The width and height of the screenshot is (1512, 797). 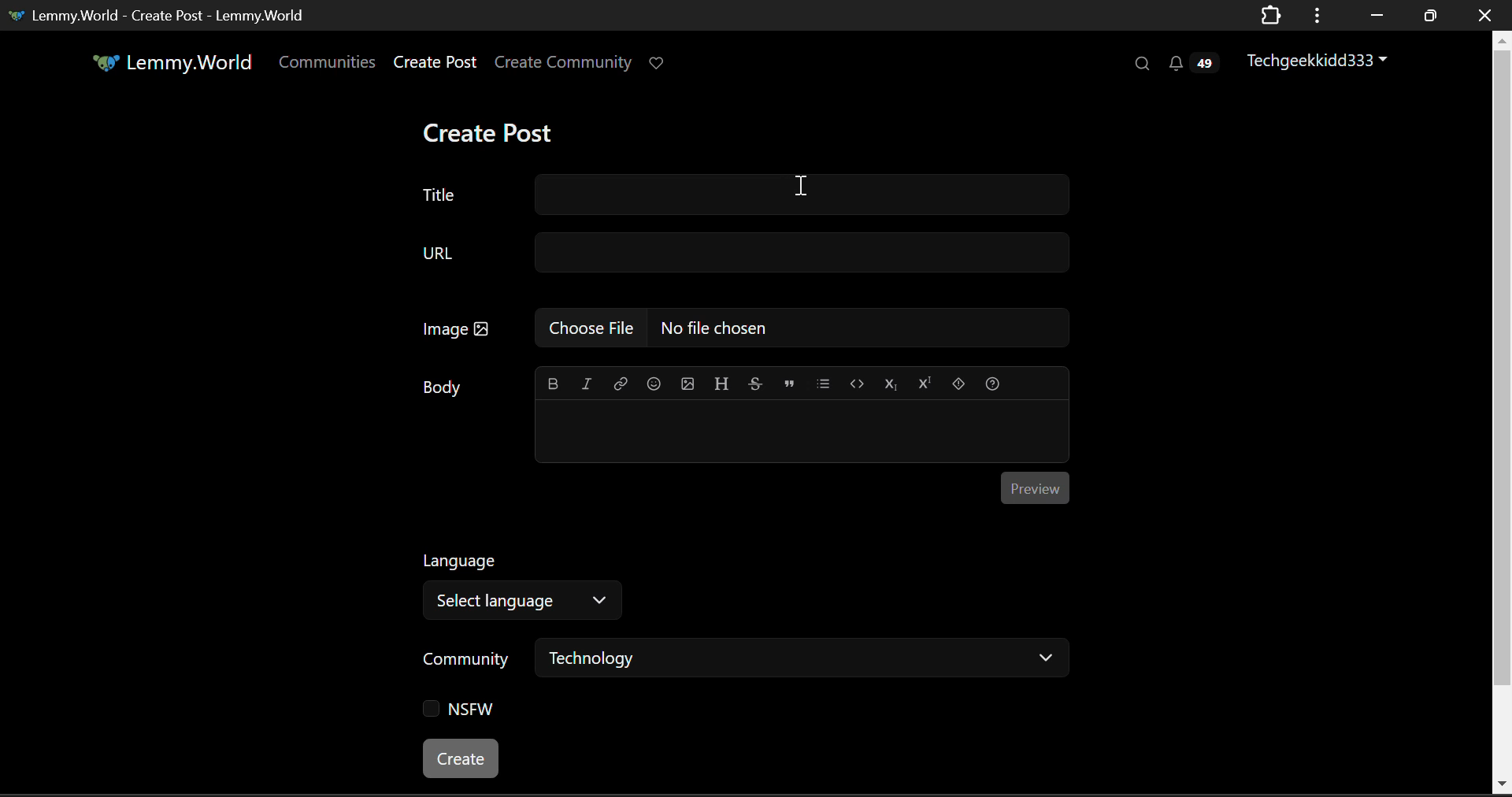 I want to click on Insert Emoji, so click(x=654, y=384).